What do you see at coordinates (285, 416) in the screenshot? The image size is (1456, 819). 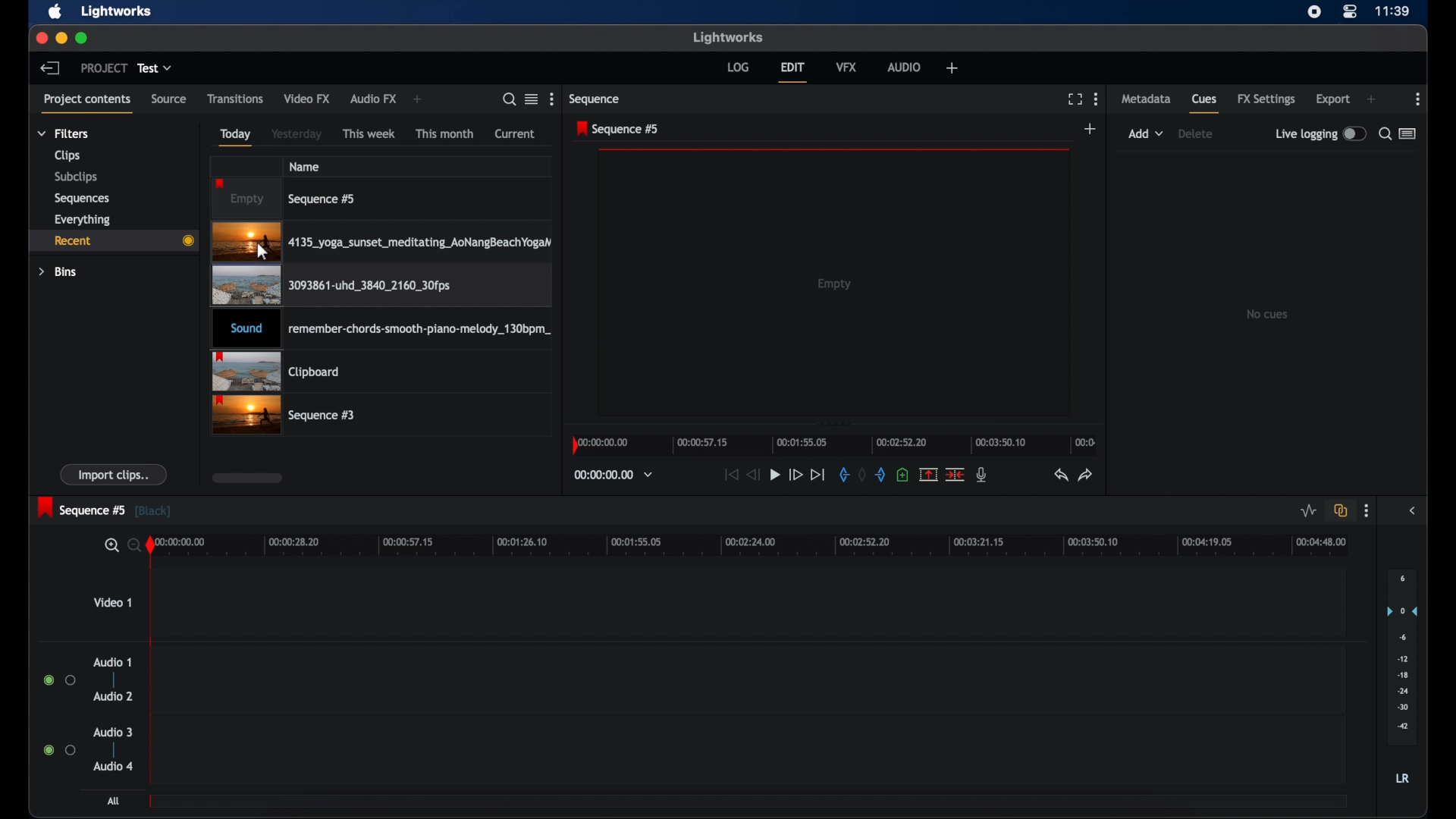 I see `sequence 3` at bounding box center [285, 416].